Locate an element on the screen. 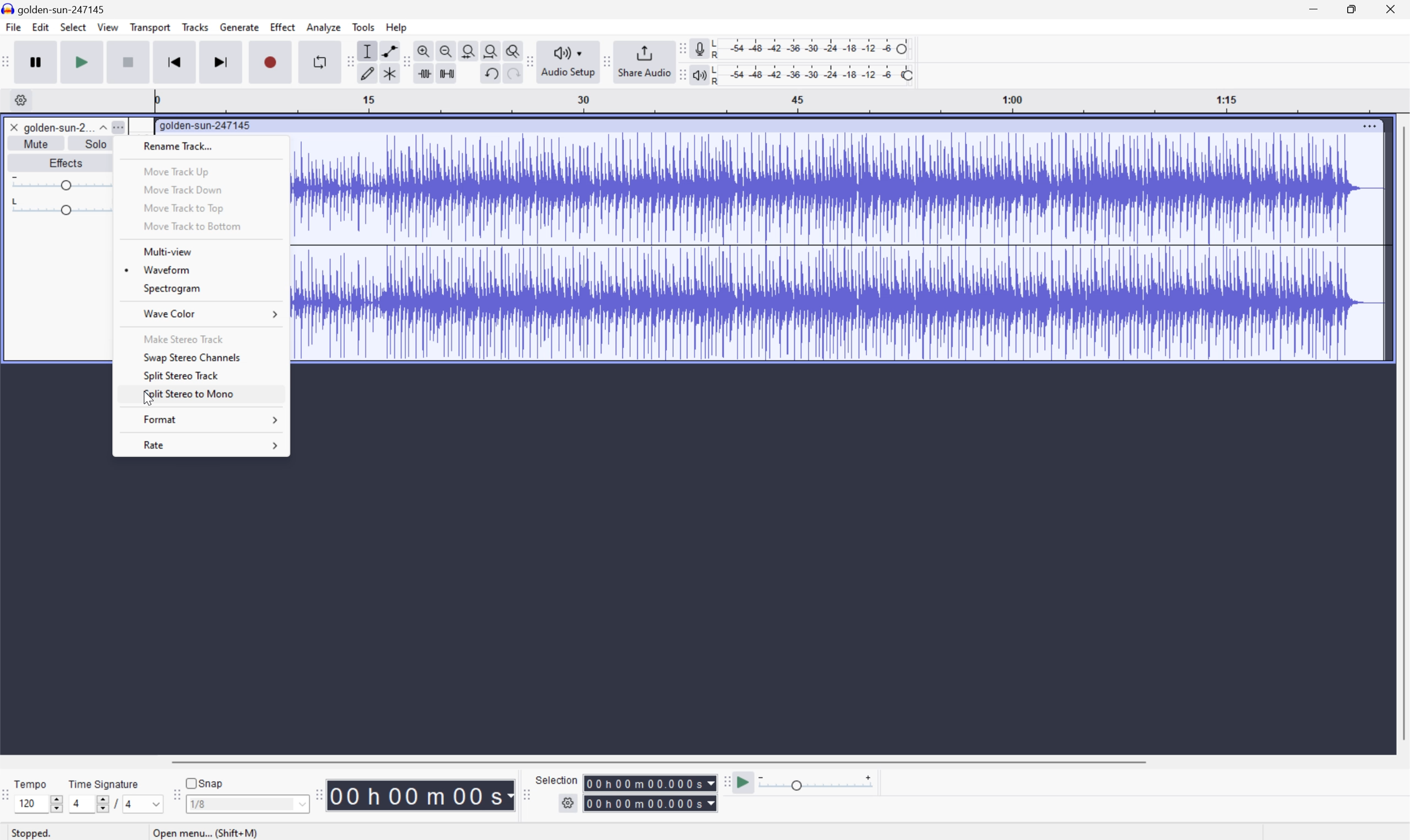  Time signature is located at coordinates (104, 782).